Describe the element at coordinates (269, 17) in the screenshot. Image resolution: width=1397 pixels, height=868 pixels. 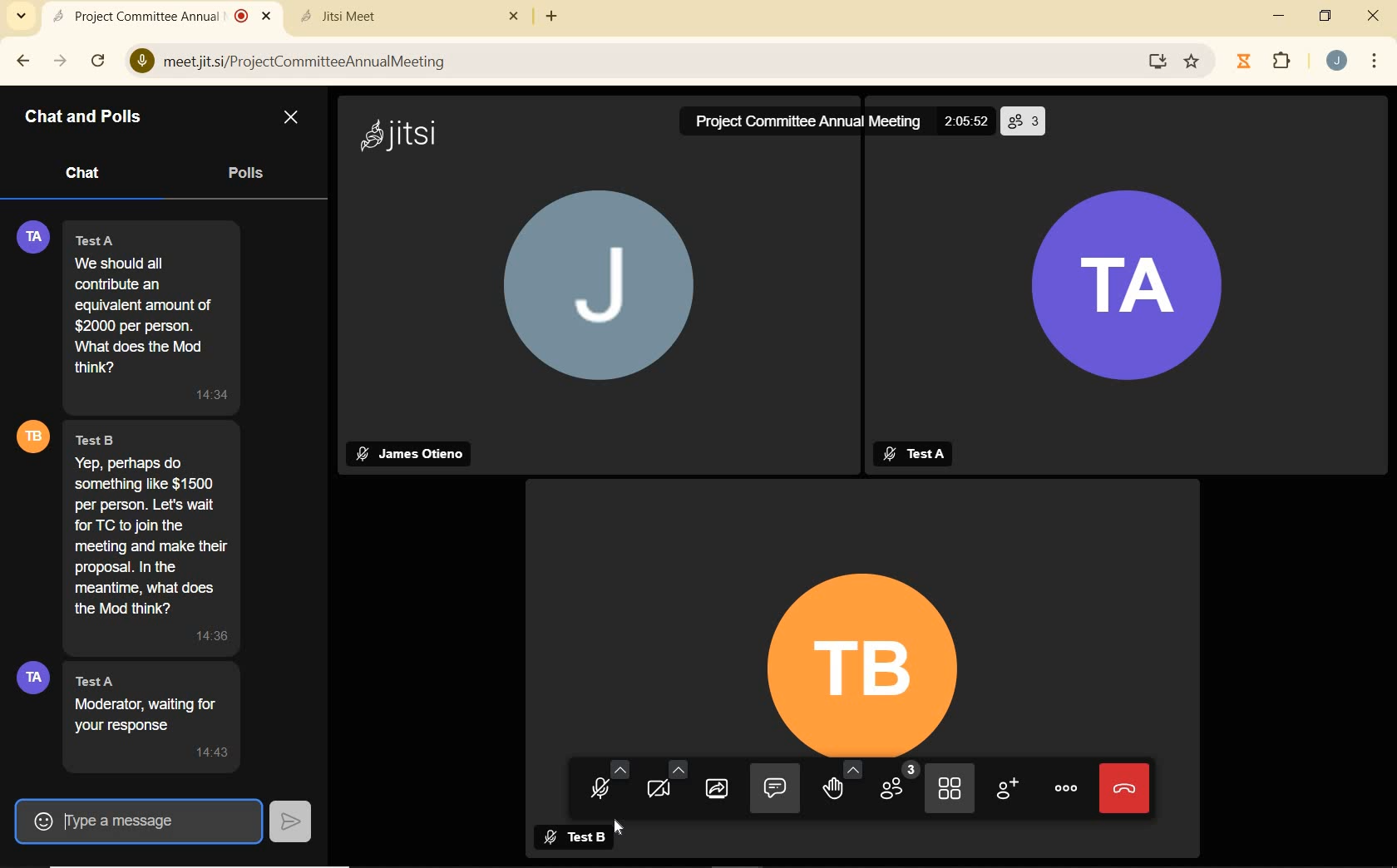
I see `close` at that location.